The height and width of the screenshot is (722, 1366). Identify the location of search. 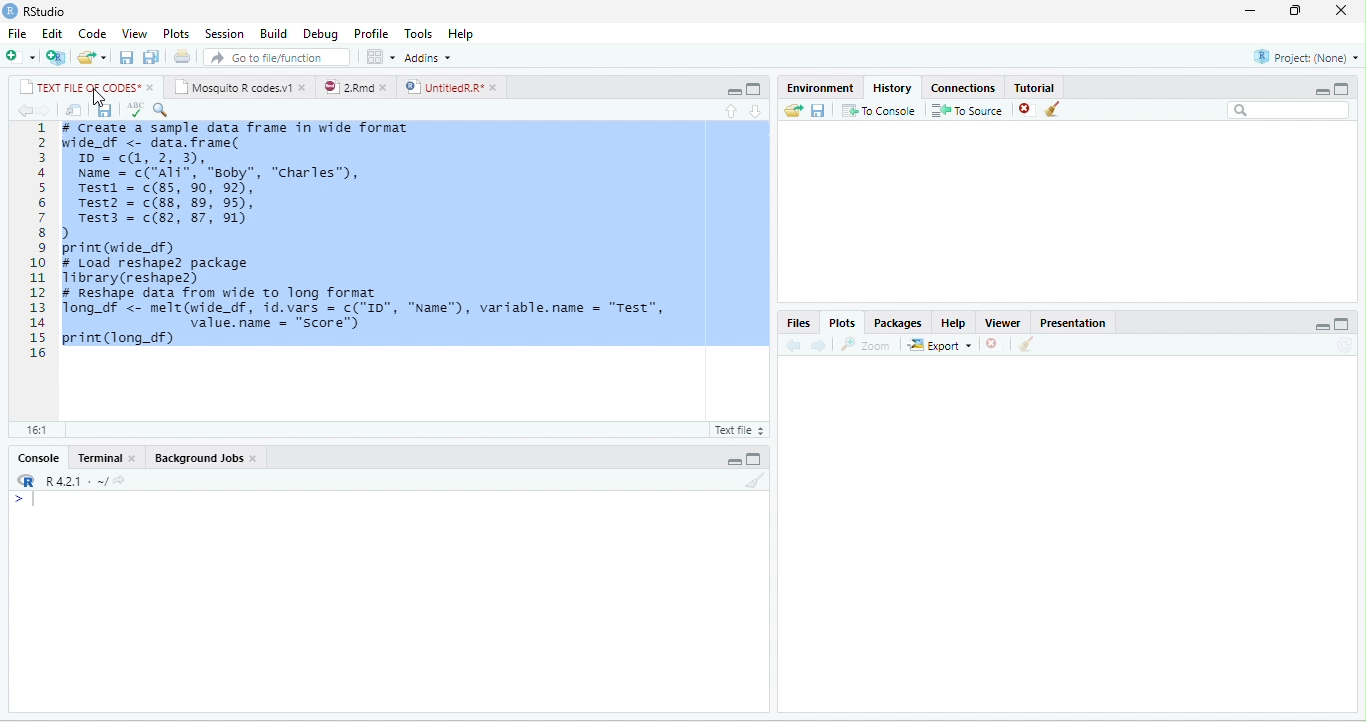
(160, 110).